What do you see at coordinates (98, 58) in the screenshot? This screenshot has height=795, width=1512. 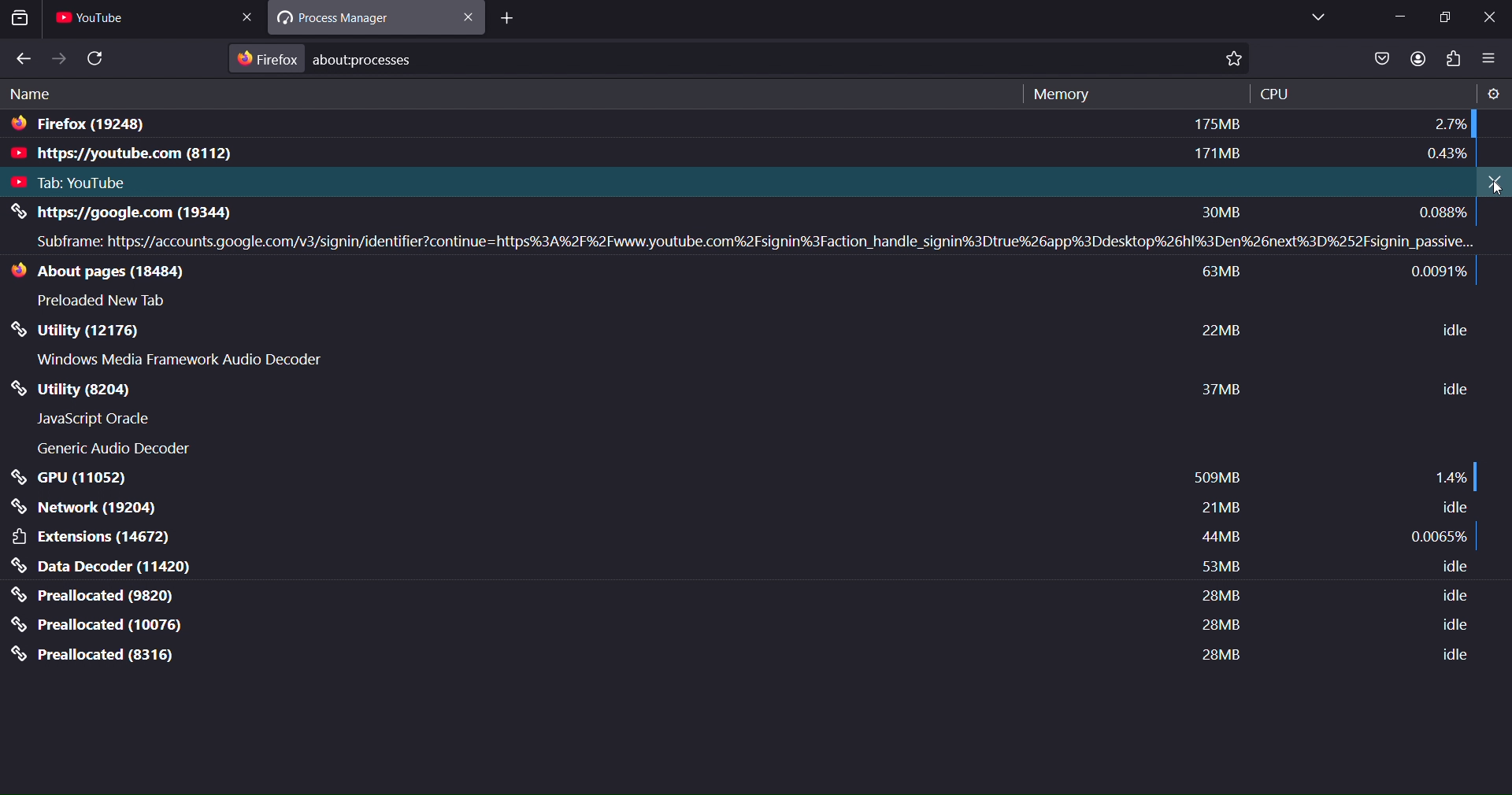 I see `reload` at bounding box center [98, 58].